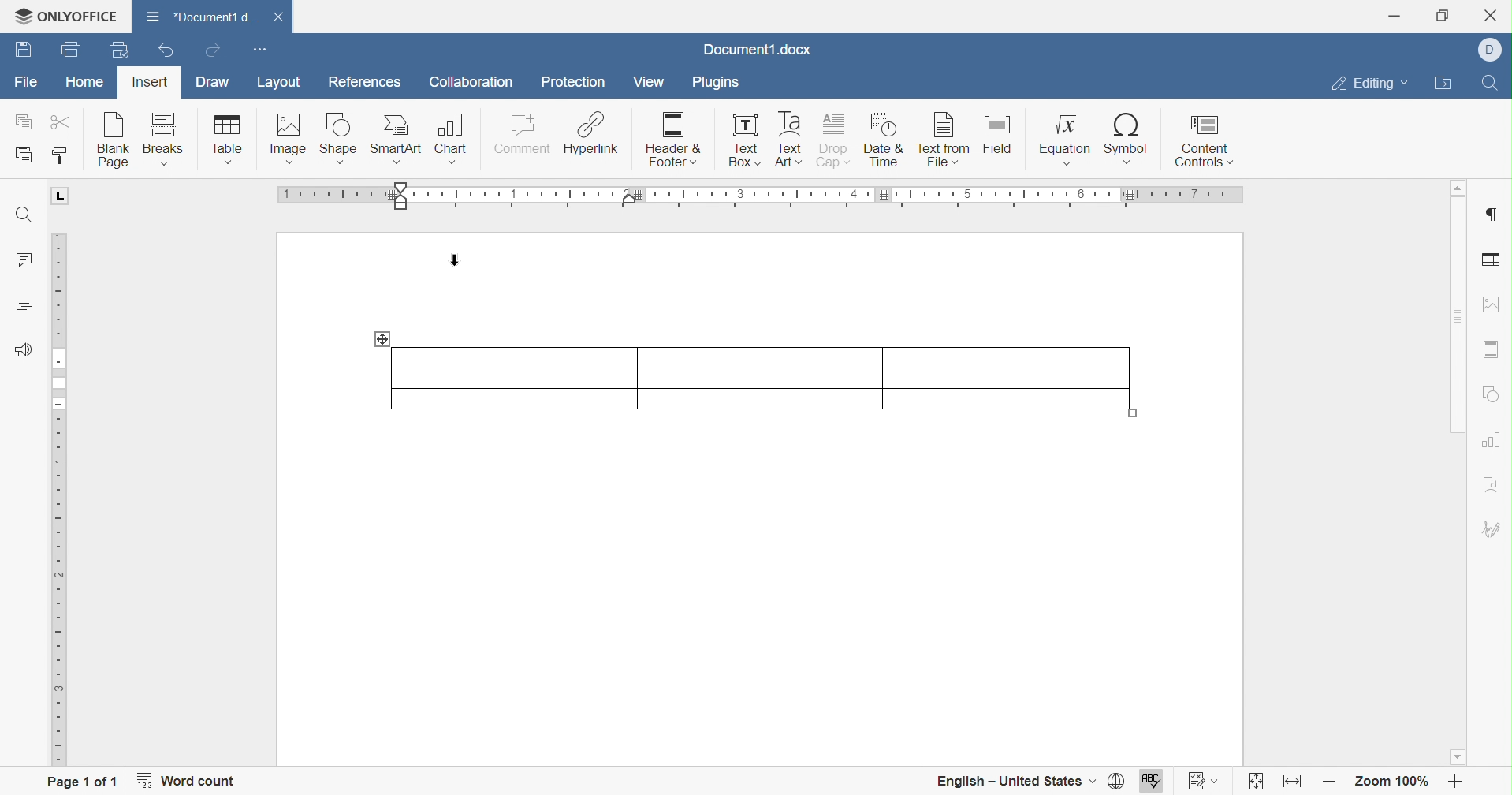  What do you see at coordinates (1496, 15) in the screenshot?
I see `Close` at bounding box center [1496, 15].